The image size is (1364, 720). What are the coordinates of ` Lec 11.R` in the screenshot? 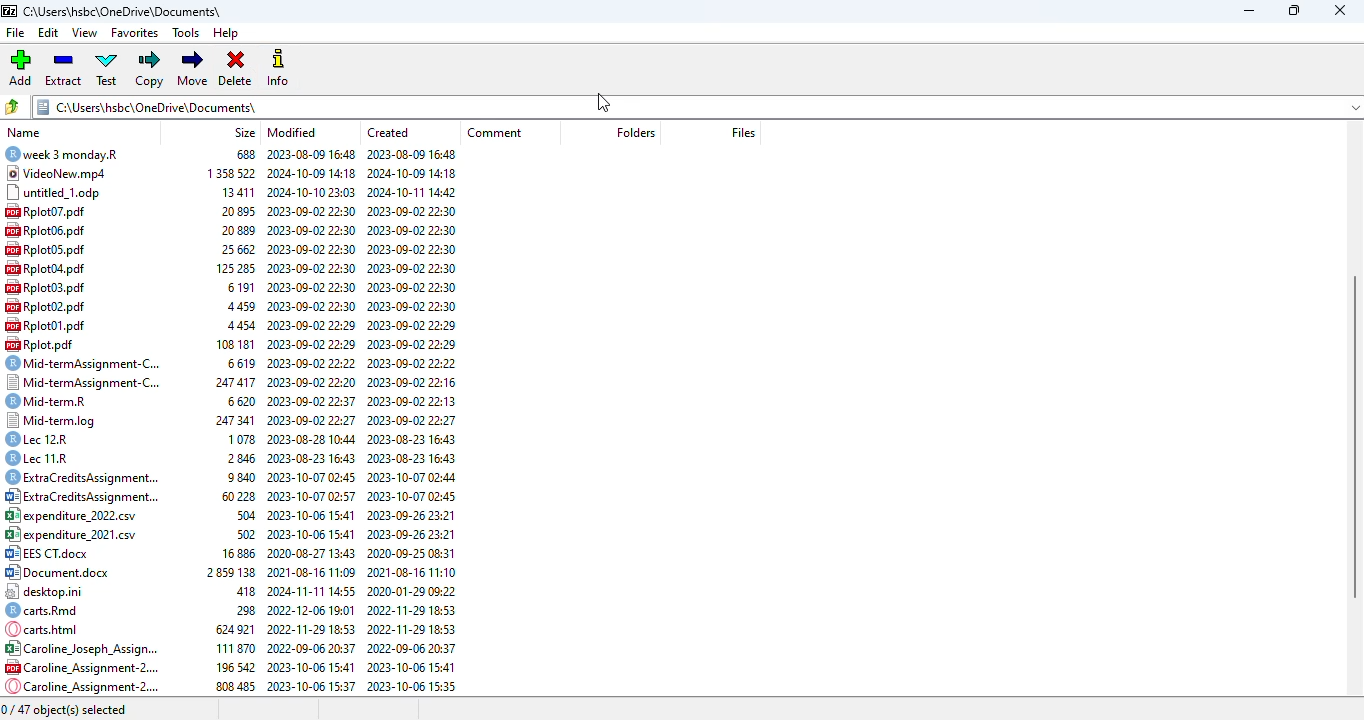 It's located at (45, 457).